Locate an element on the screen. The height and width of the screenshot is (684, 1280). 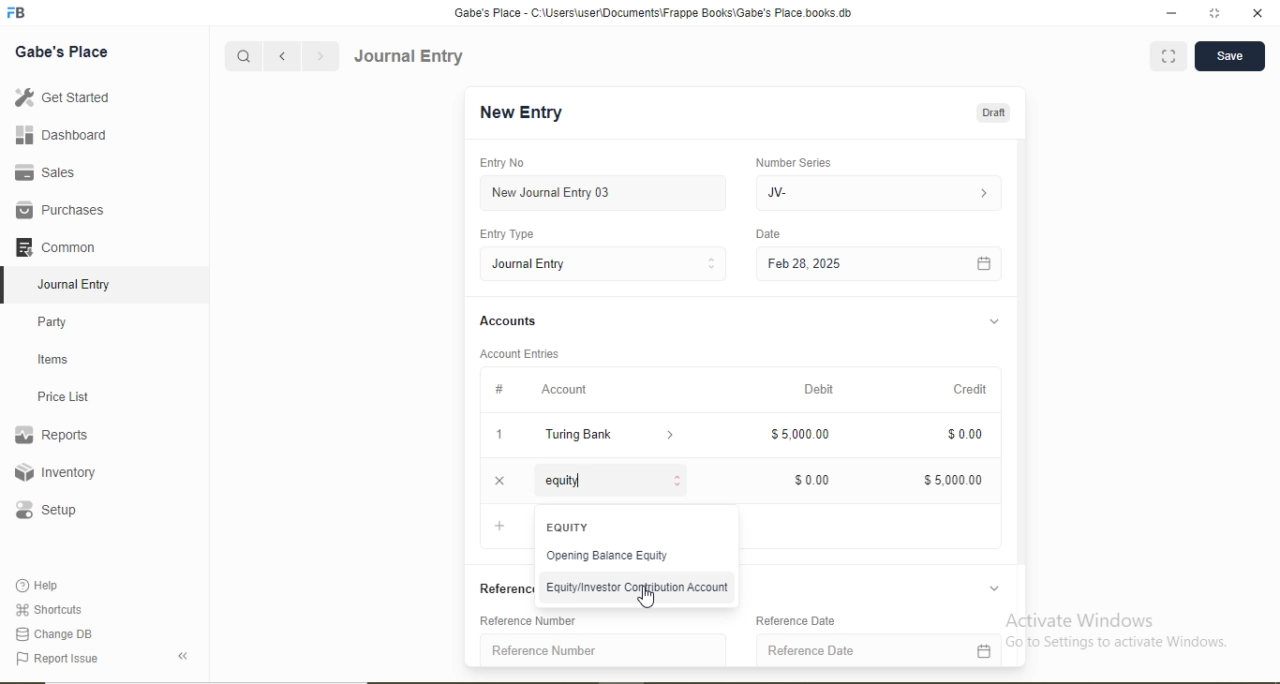
Help is located at coordinates (39, 585).